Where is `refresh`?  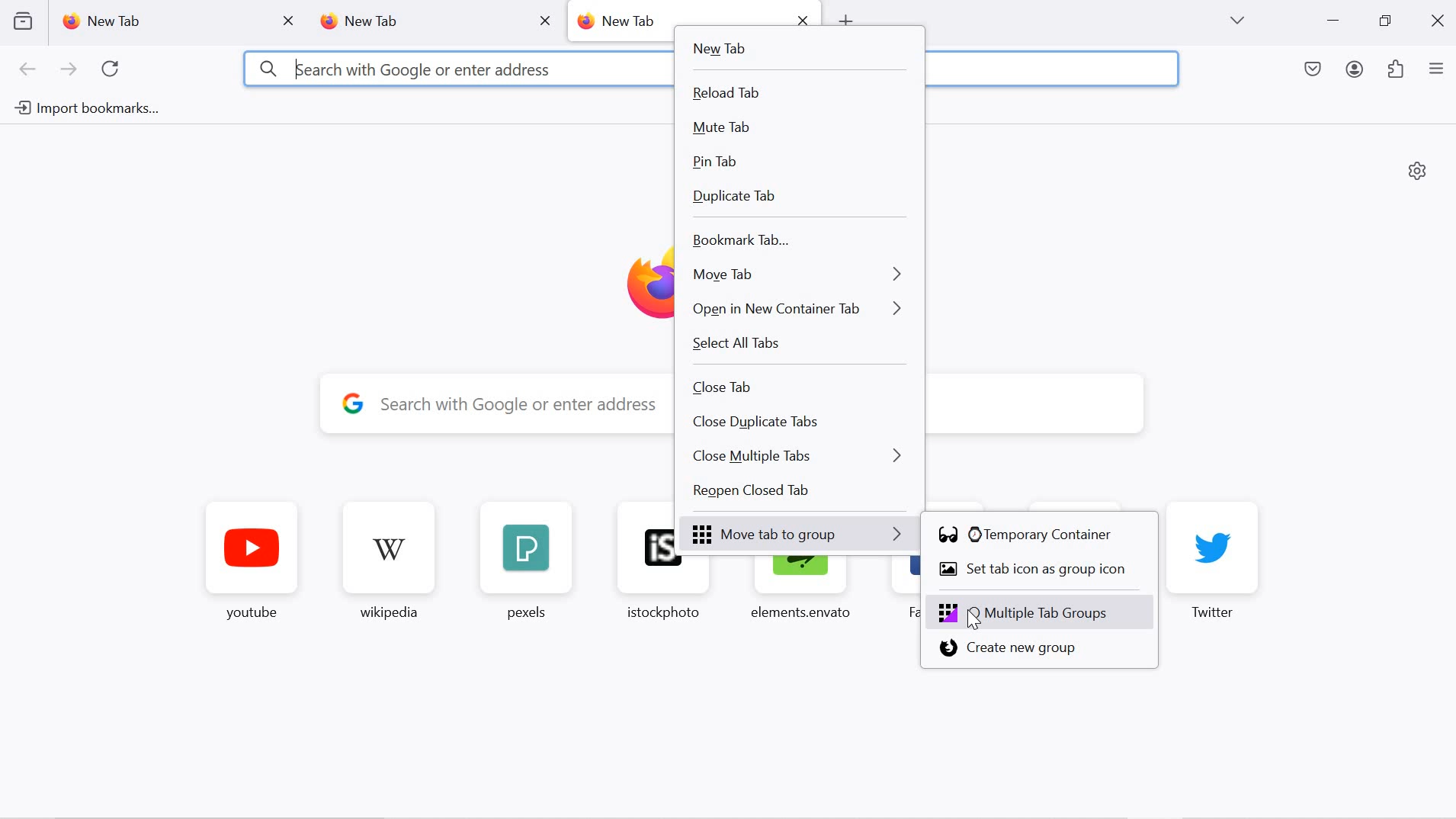 refresh is located at coordinates (111, 69).